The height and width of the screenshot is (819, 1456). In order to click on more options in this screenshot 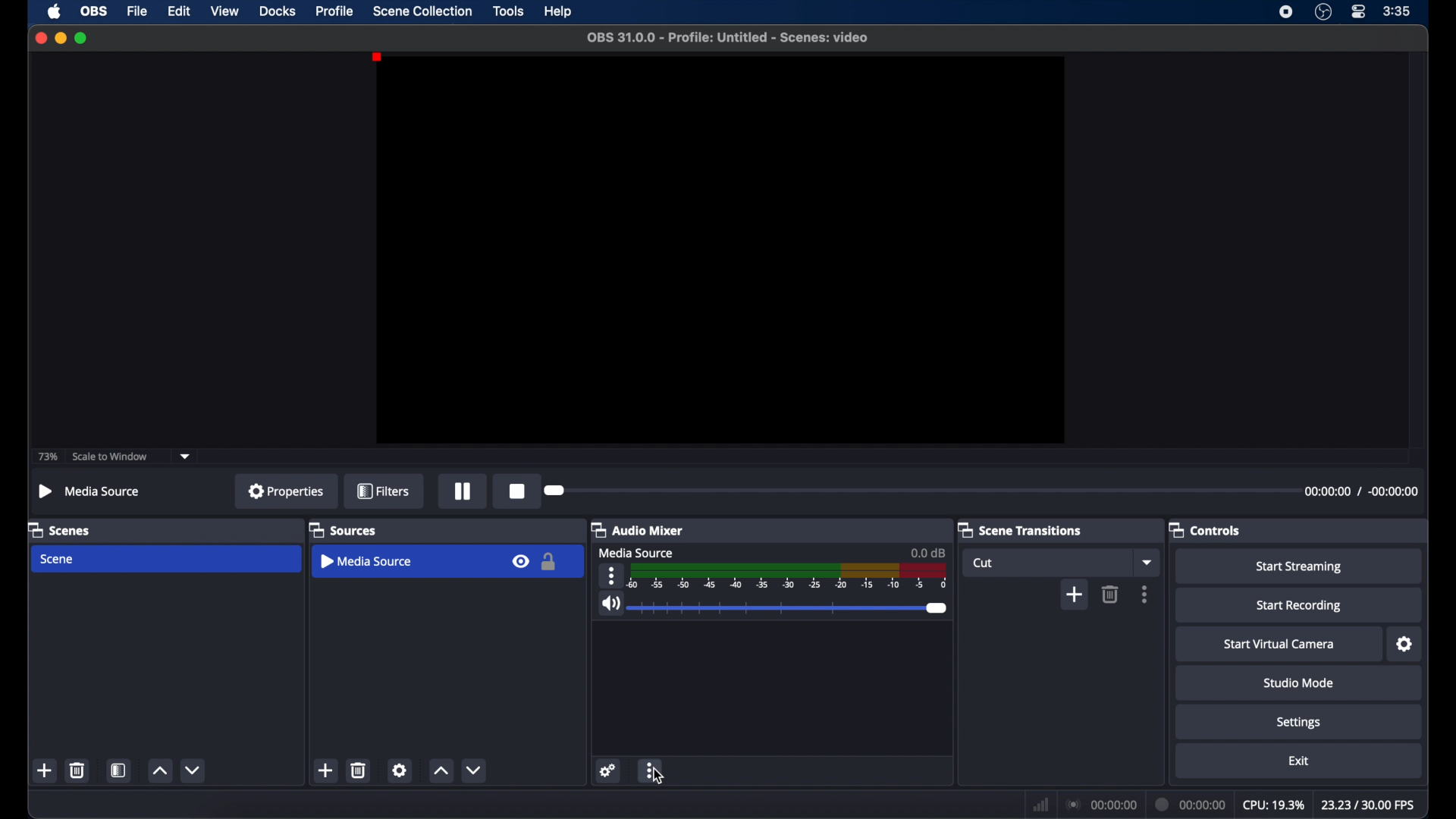, I will do `click(651, 770)`.